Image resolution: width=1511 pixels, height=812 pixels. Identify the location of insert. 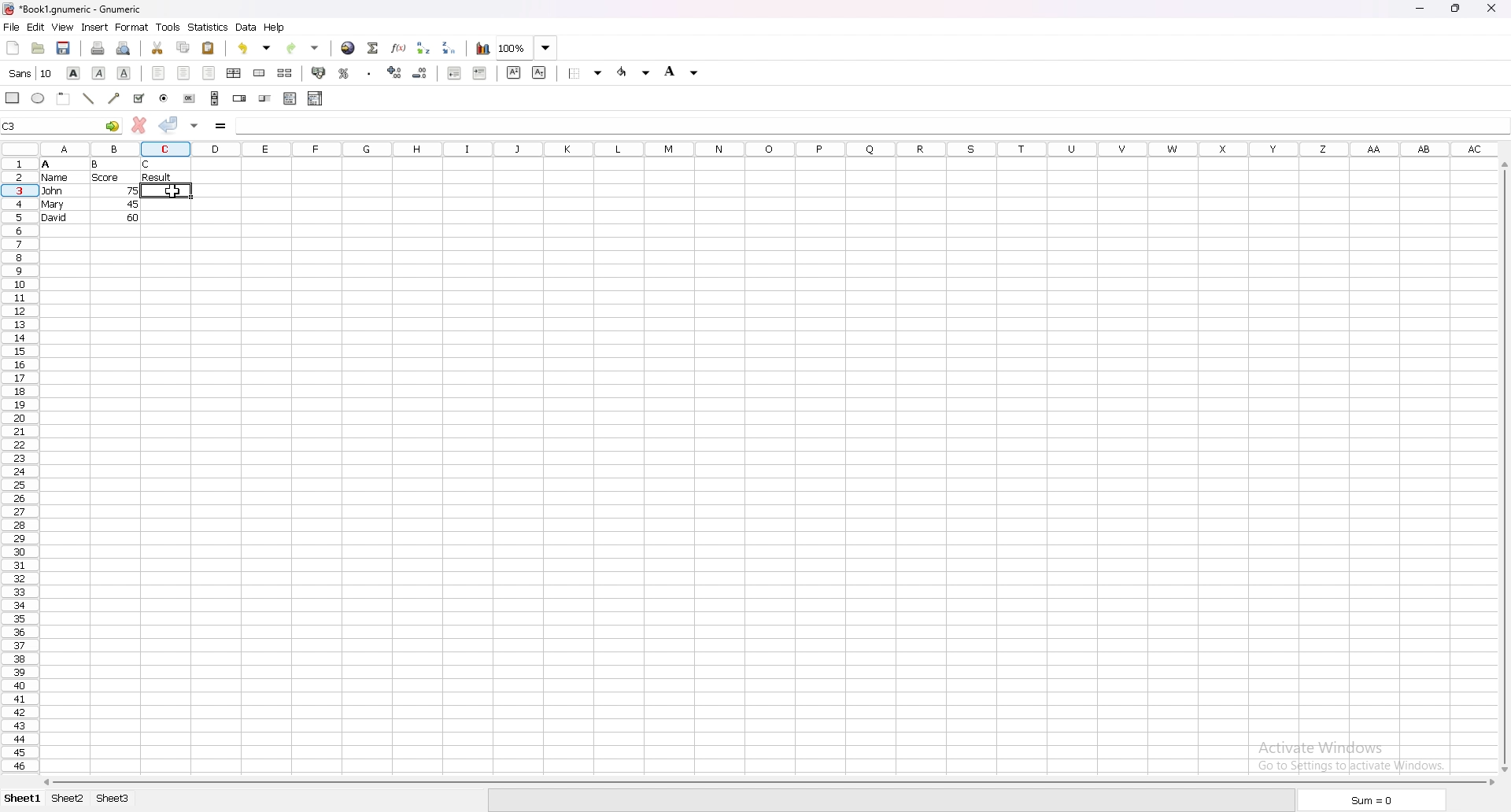
(94, 28).